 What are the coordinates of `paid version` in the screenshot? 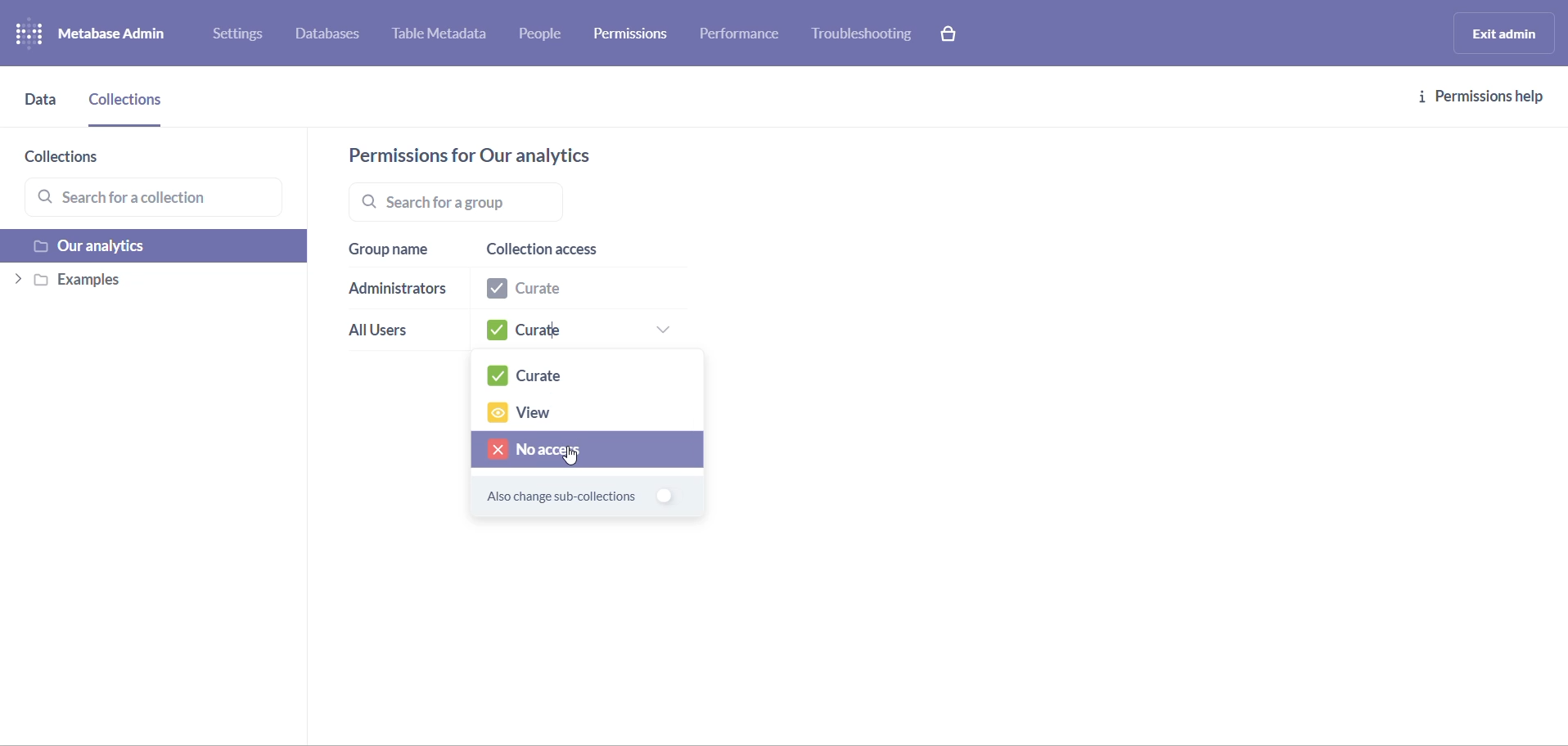 It's located at (956, 33).